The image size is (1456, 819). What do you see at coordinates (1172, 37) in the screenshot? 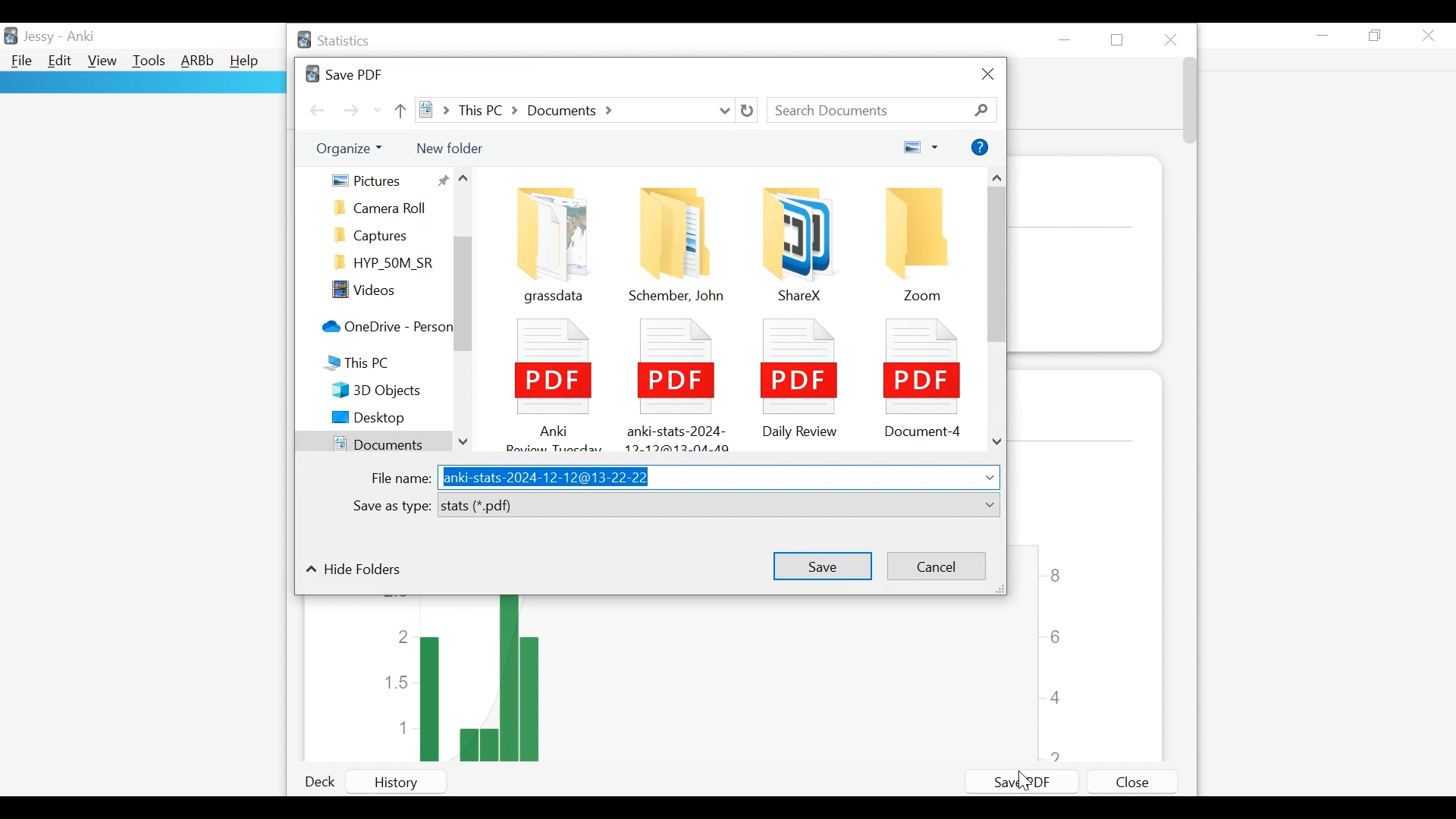
I see `Close` at bounding box center [1172, 37].